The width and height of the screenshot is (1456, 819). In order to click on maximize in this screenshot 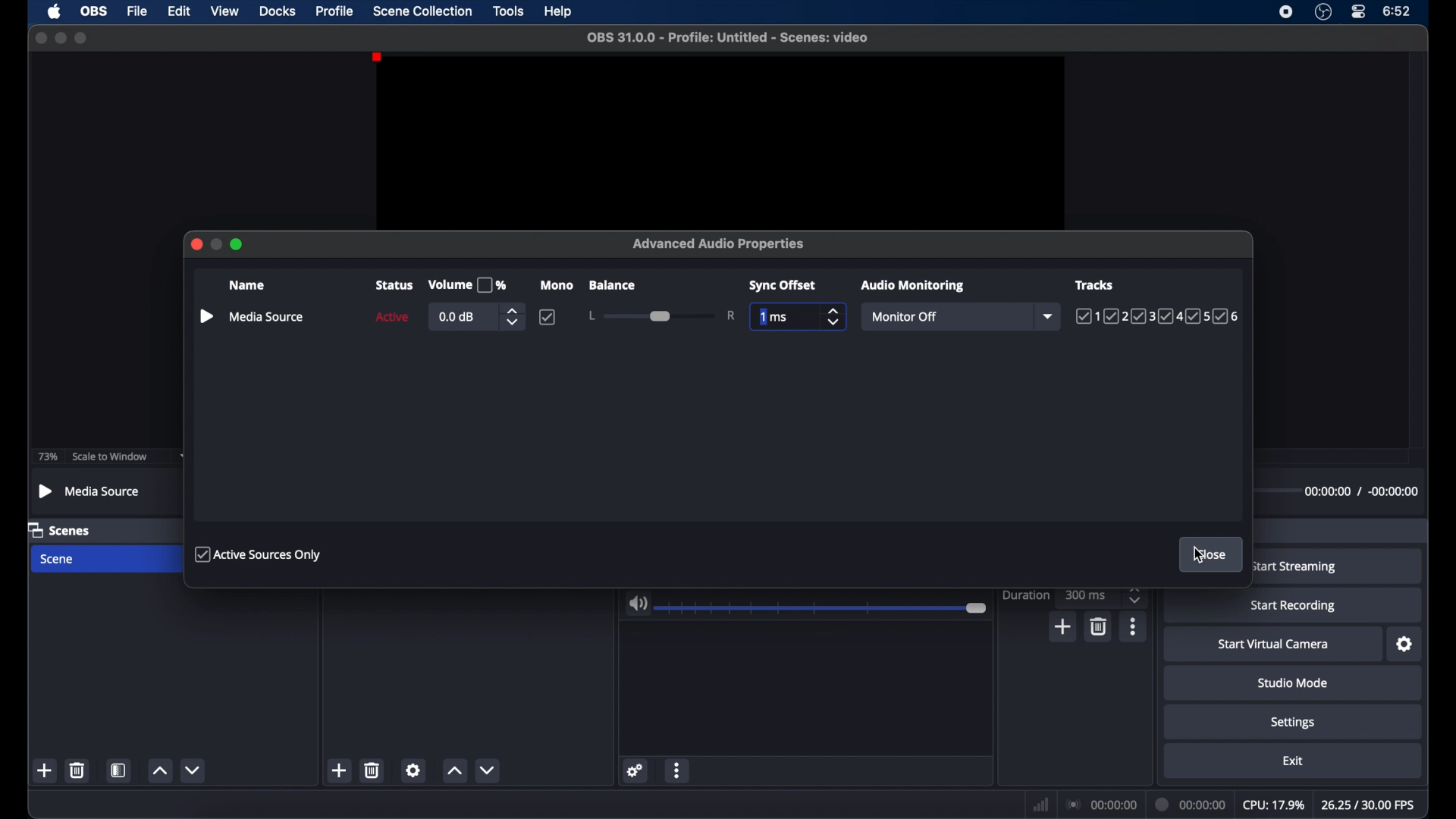, I will do `click(82, 38)`.